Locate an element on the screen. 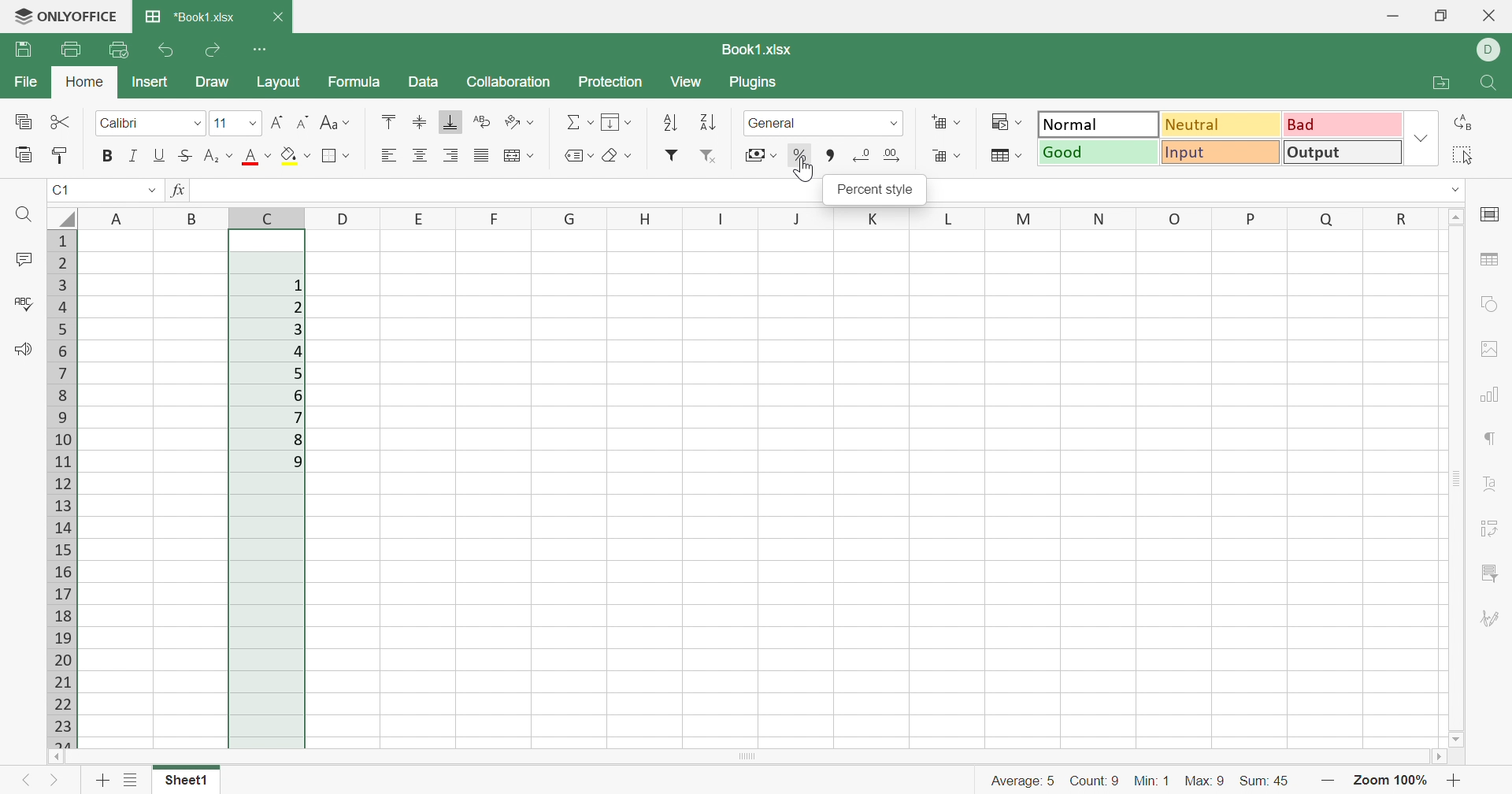 The height and width of the screenshot is (794, 1512). Sum: 45 is located at coordinates (1266, 782).